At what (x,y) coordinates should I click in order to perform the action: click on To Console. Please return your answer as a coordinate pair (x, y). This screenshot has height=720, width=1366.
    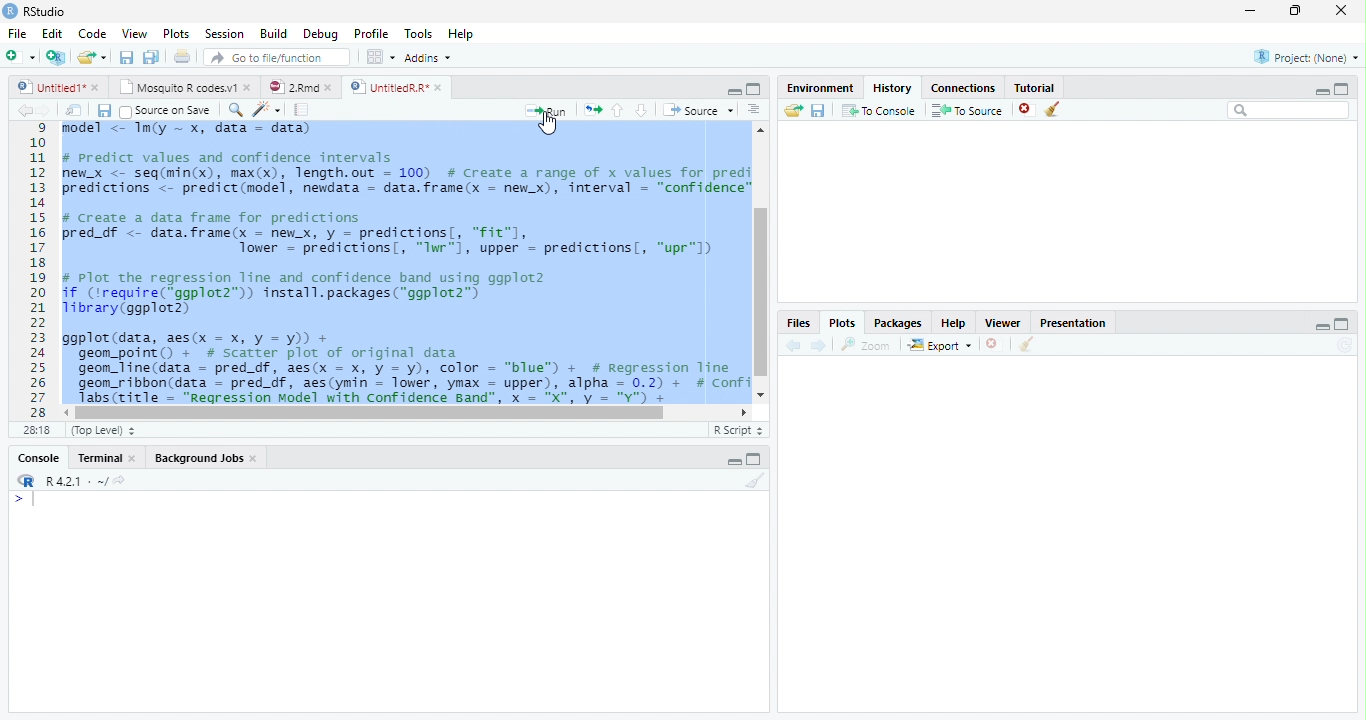
    Looking at the image, I should click on (878, 112).